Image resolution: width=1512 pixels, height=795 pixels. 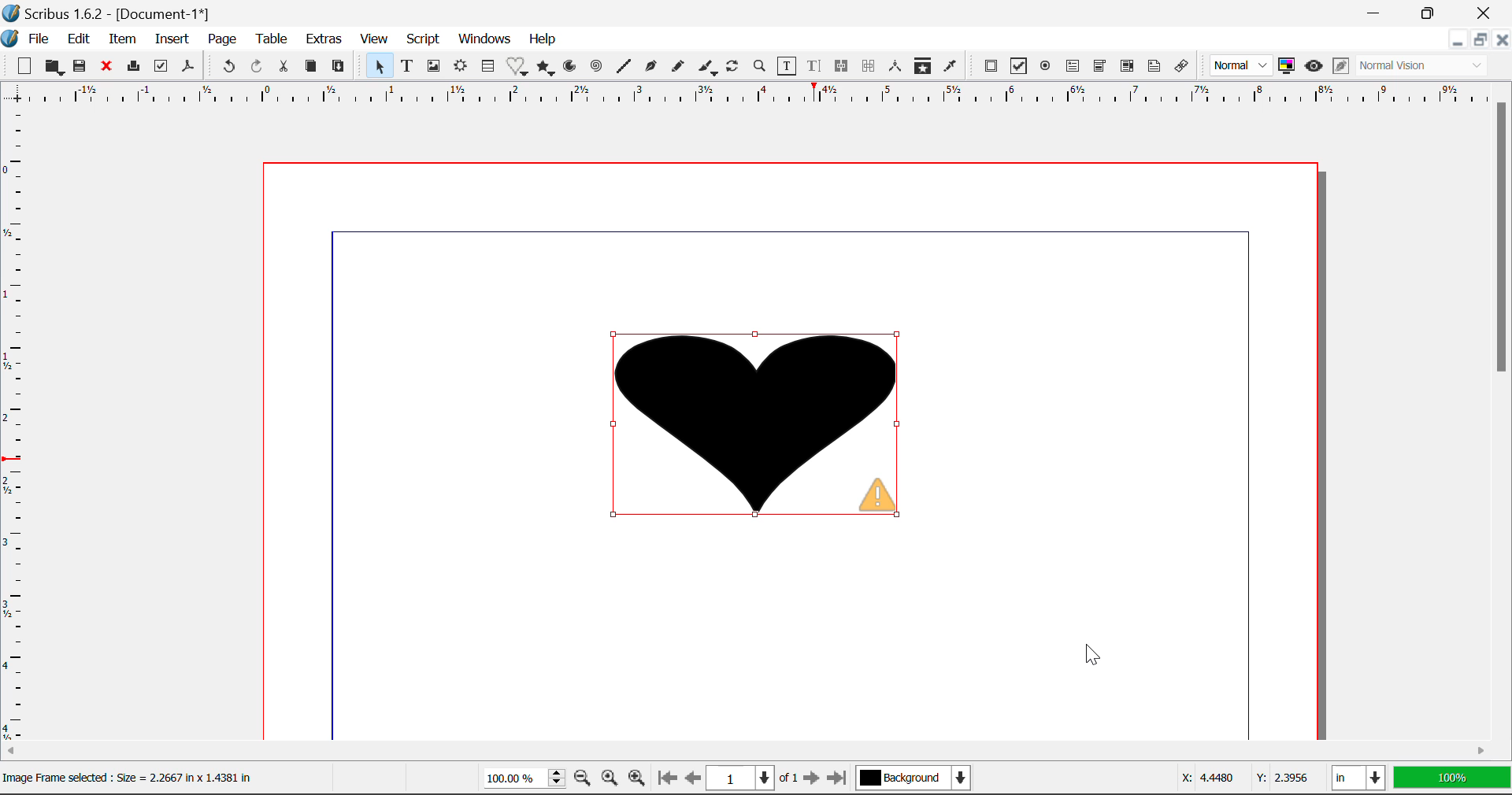 What do you see at coordinates (109, 68) in the screenshot?
I see `Close` at bounding box center [109, 68].